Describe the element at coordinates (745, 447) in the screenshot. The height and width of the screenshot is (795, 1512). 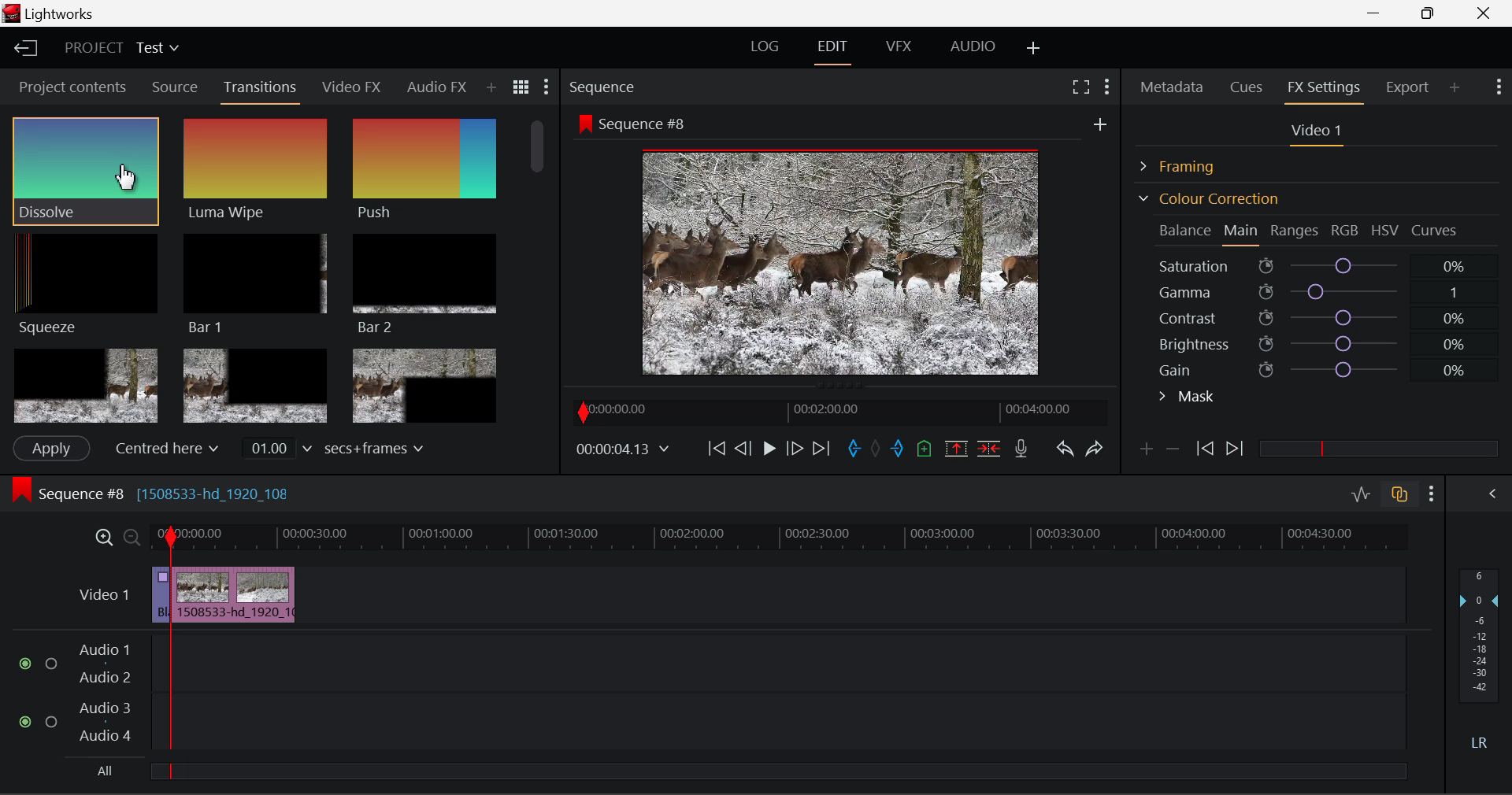
I see `Go Back` at that location.